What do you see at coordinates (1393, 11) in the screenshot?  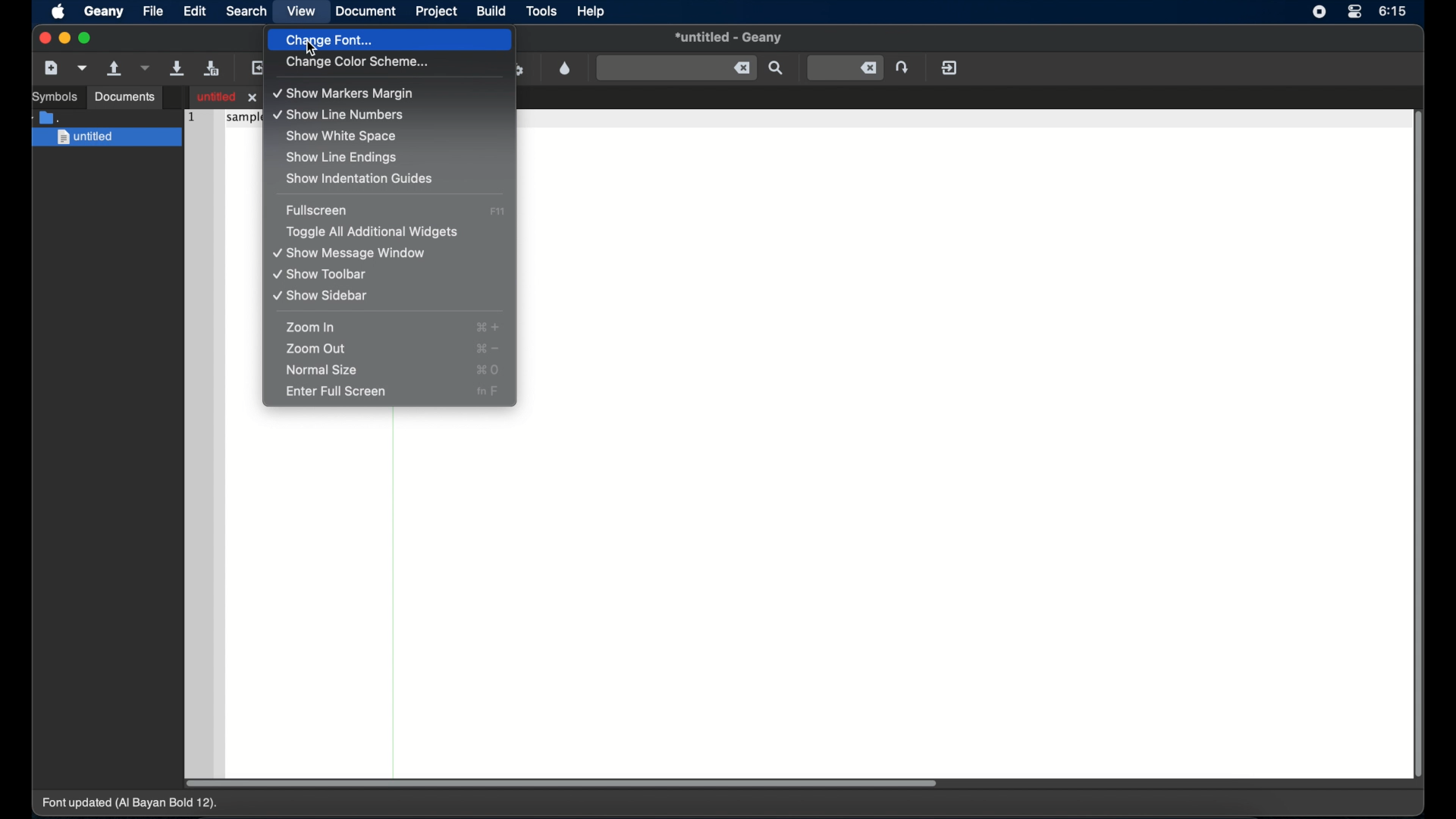 I see `6:15` at bounding box center [1393, 11].